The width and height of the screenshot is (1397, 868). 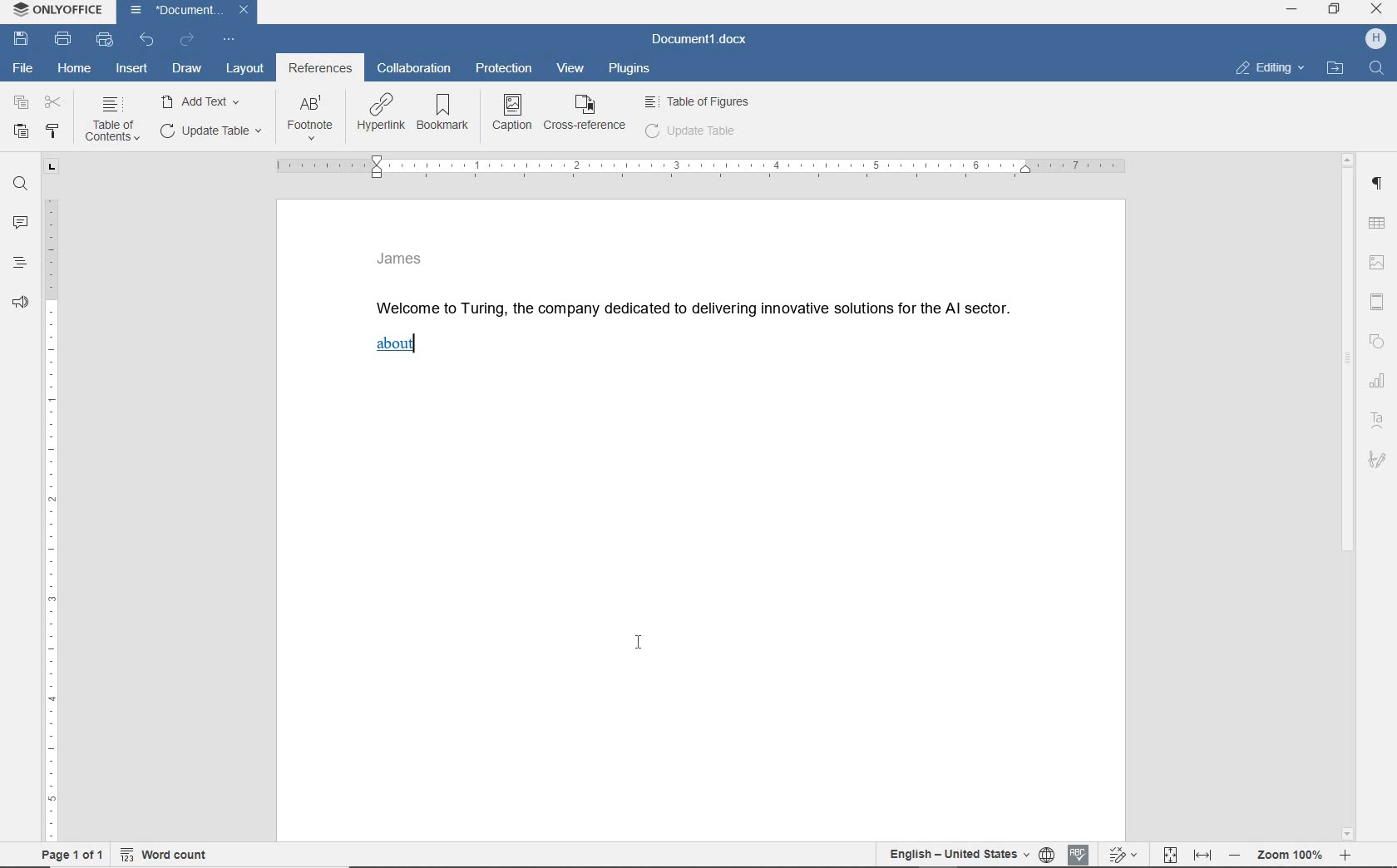 I want to click on save, so click(x=20, y=38).